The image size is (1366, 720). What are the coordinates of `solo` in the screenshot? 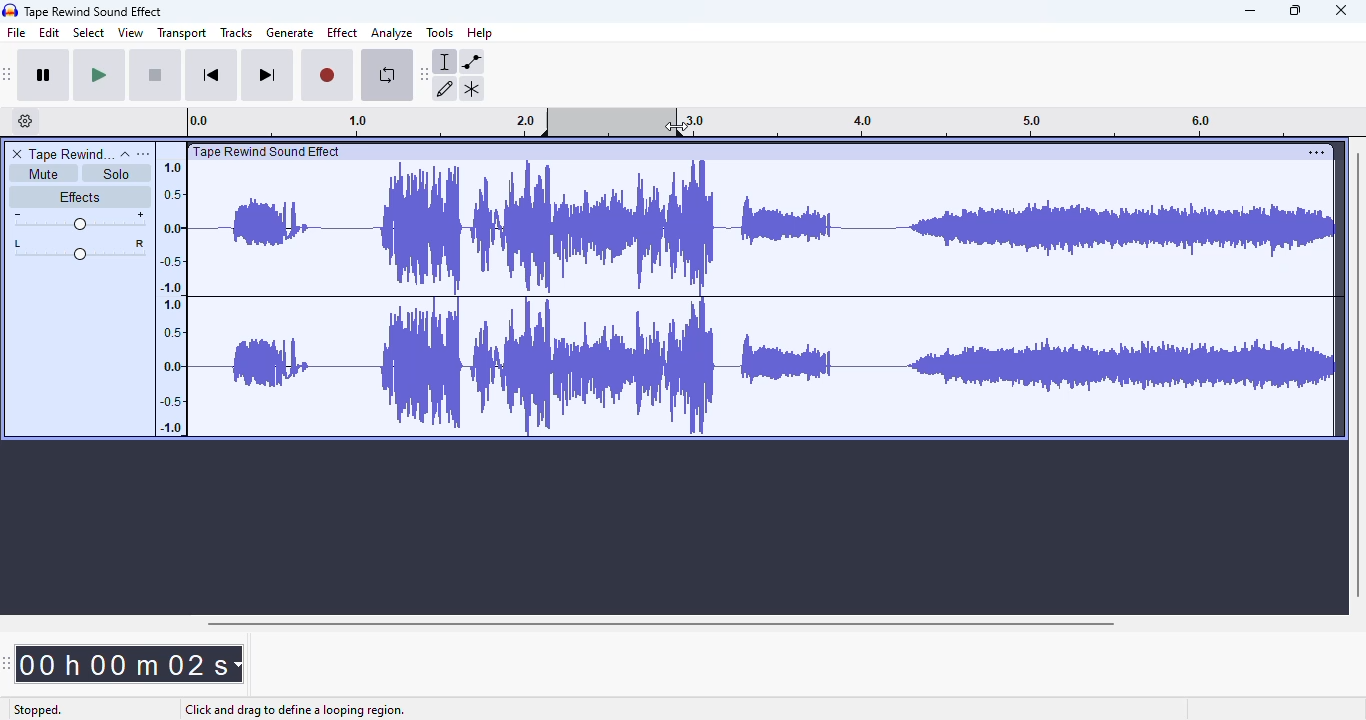 It's located at (118, 174).